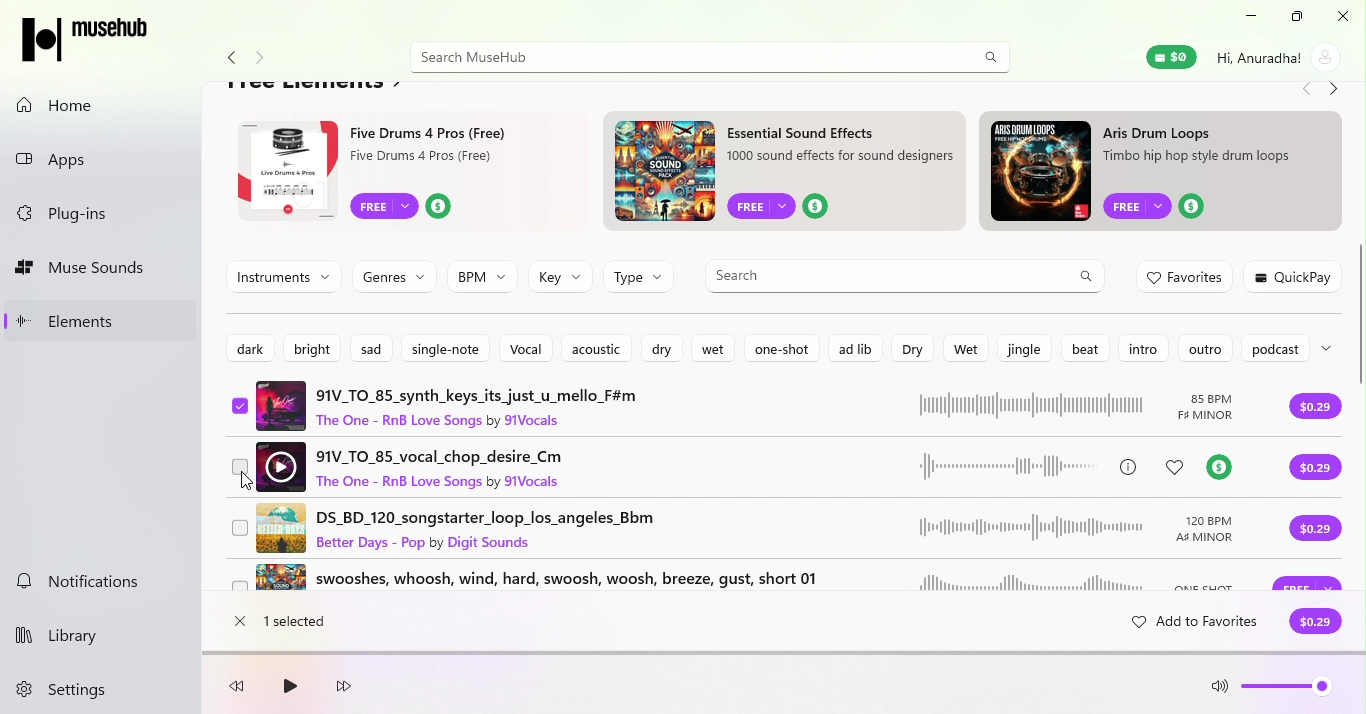  Describe the element at coordinates (306, 346) in the screenshot. I see `Bright` at that location.